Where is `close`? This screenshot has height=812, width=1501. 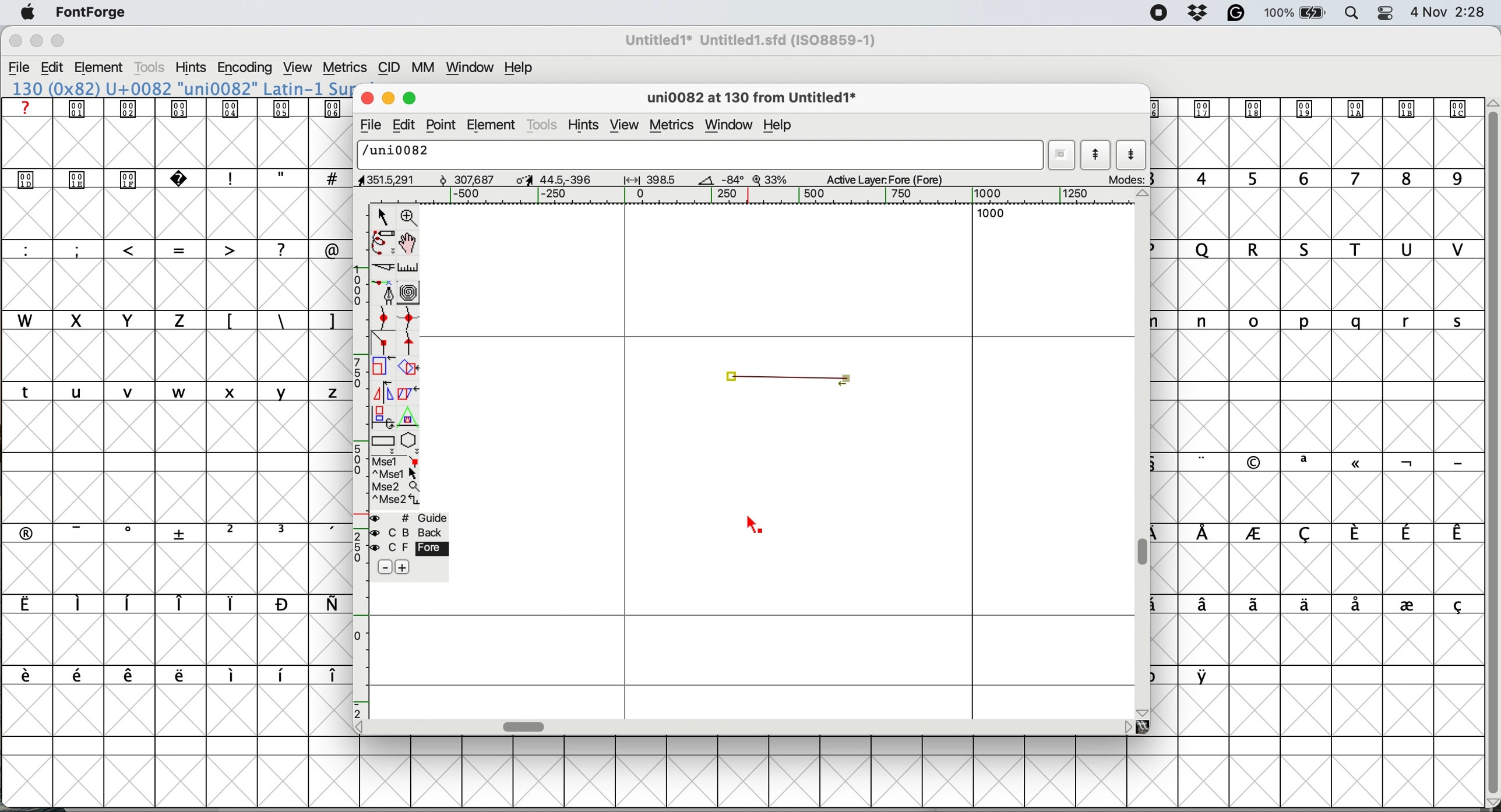 close is located at coordinates (365, 96).